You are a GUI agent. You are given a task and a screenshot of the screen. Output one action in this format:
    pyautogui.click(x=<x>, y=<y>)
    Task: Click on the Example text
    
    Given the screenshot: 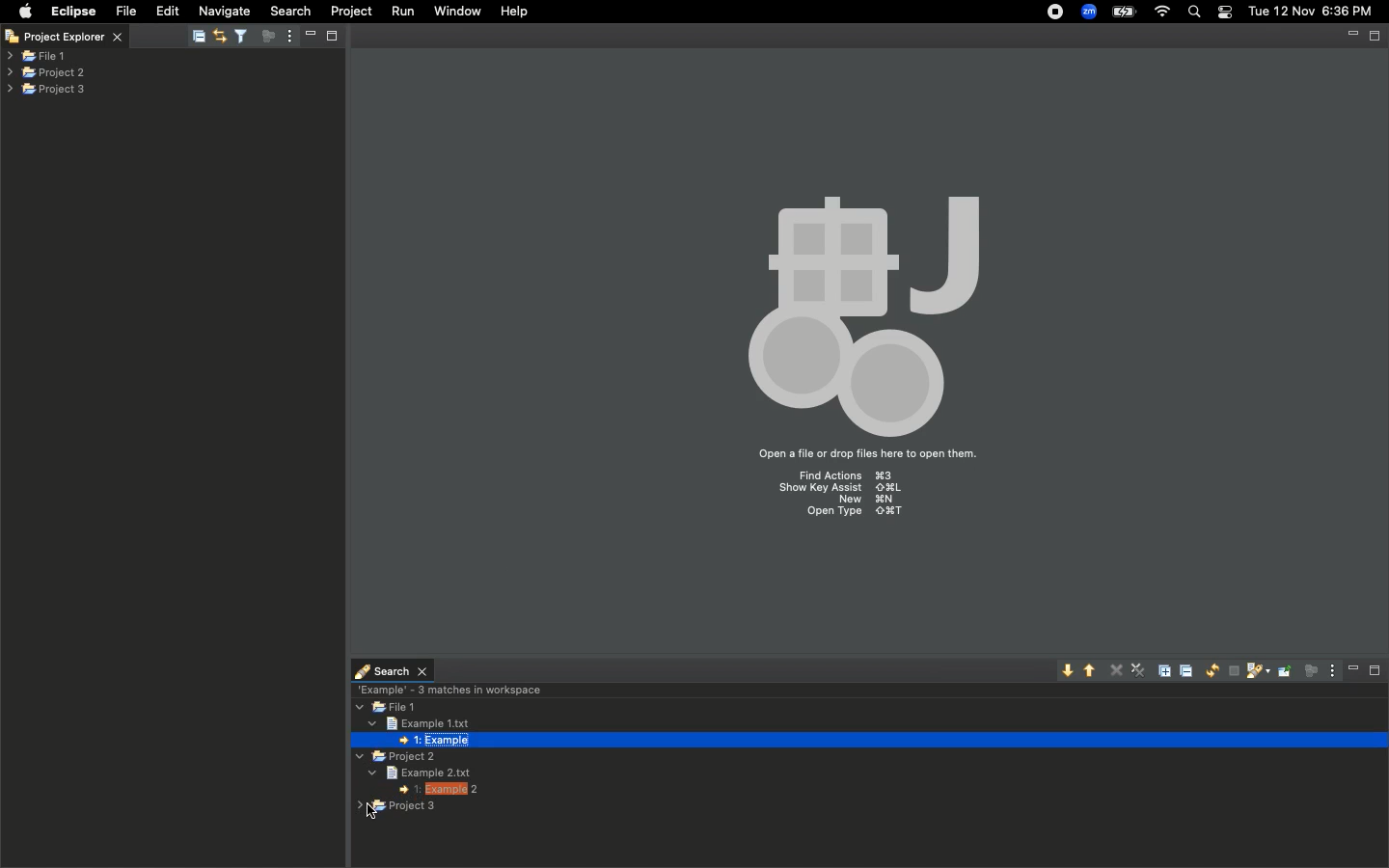 What is the action you would take?
    pyautogui.click(x=422, y=773)
    